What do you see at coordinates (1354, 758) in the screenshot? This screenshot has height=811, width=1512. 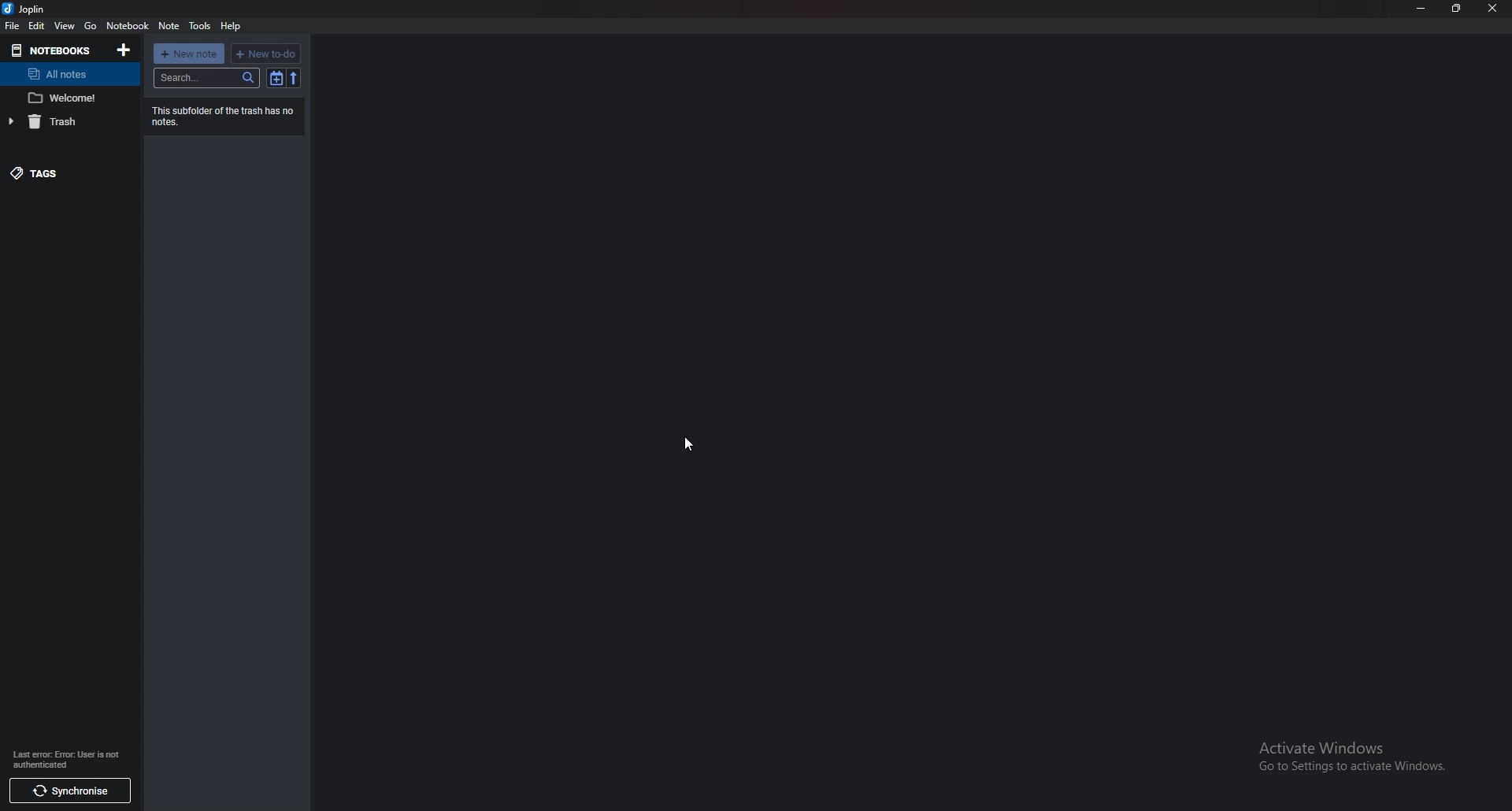 I see `Activate windows pop up` at bounding box center [1354, 758].